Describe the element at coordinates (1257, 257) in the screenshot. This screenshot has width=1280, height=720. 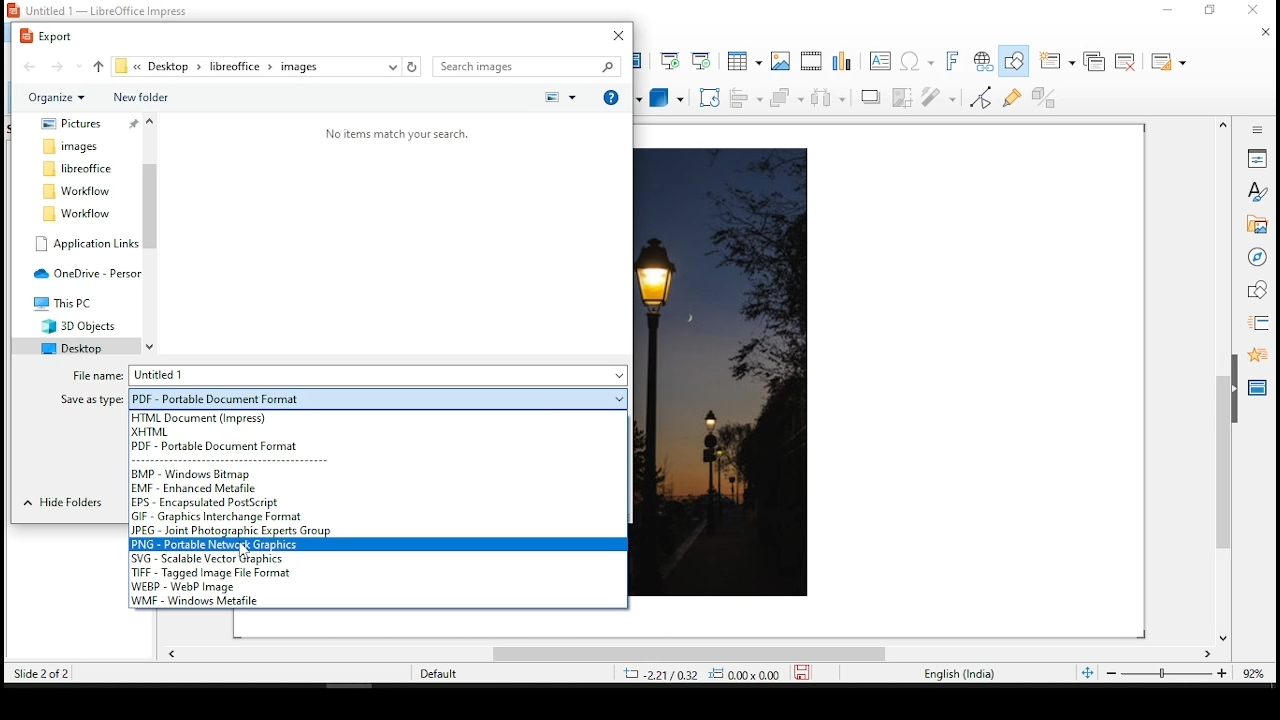
I see `navigator` at that location.